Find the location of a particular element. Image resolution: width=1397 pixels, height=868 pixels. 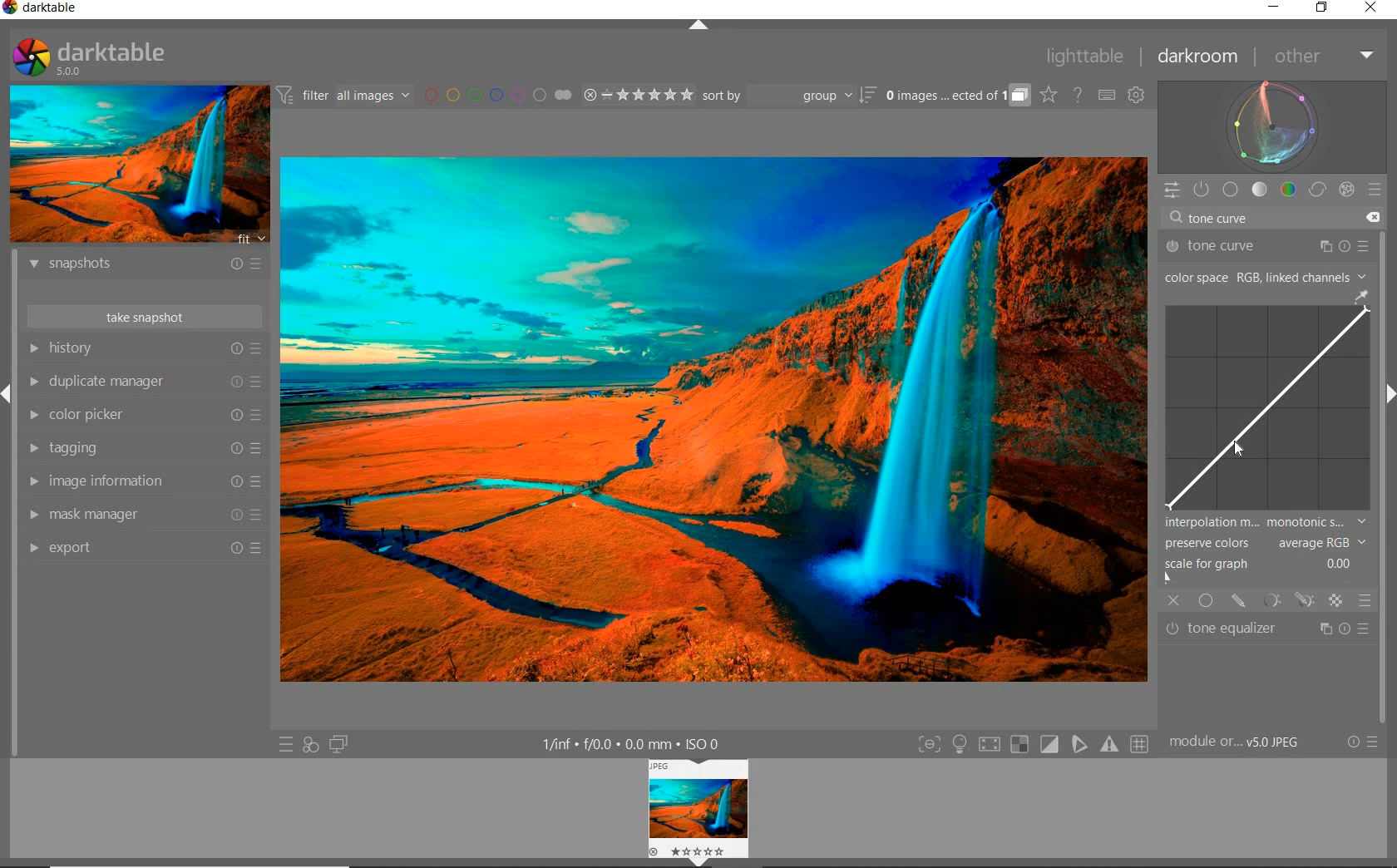

image information is located at coordinates (143, 481).